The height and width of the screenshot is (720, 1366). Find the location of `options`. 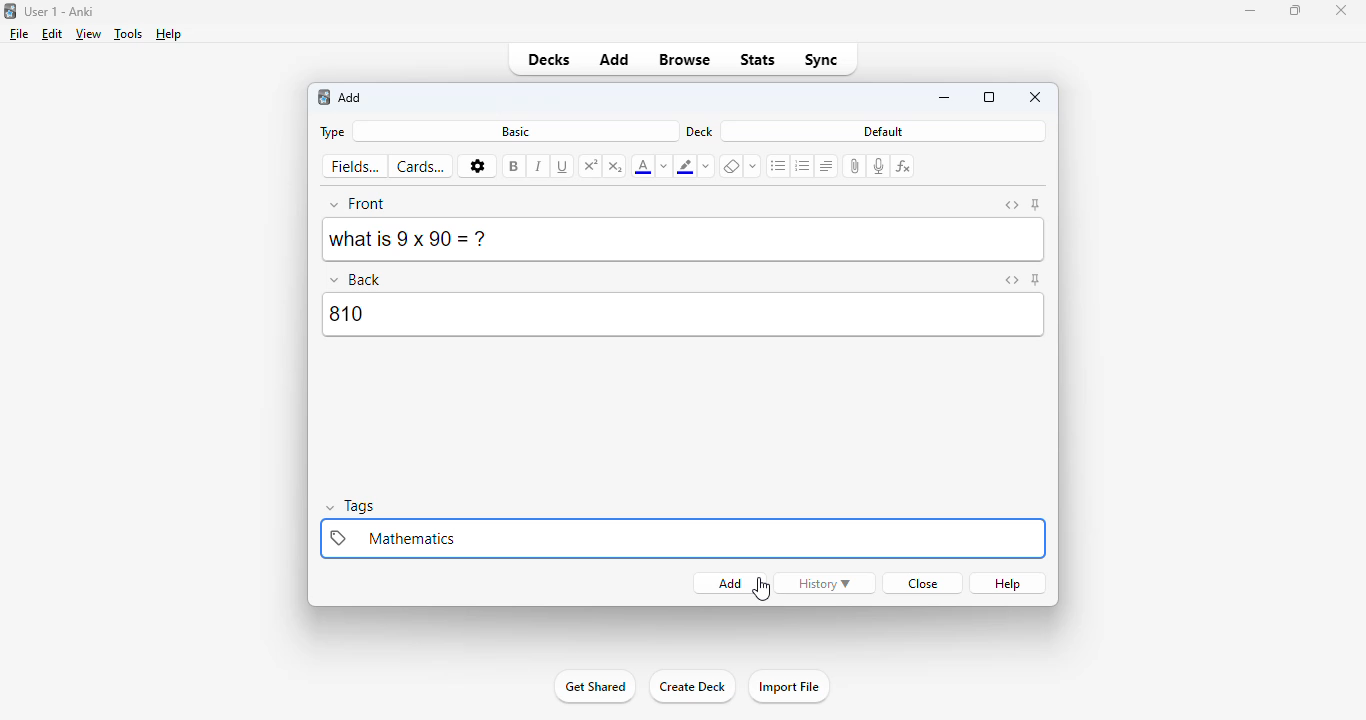

options is located at coordinates (477, 167).